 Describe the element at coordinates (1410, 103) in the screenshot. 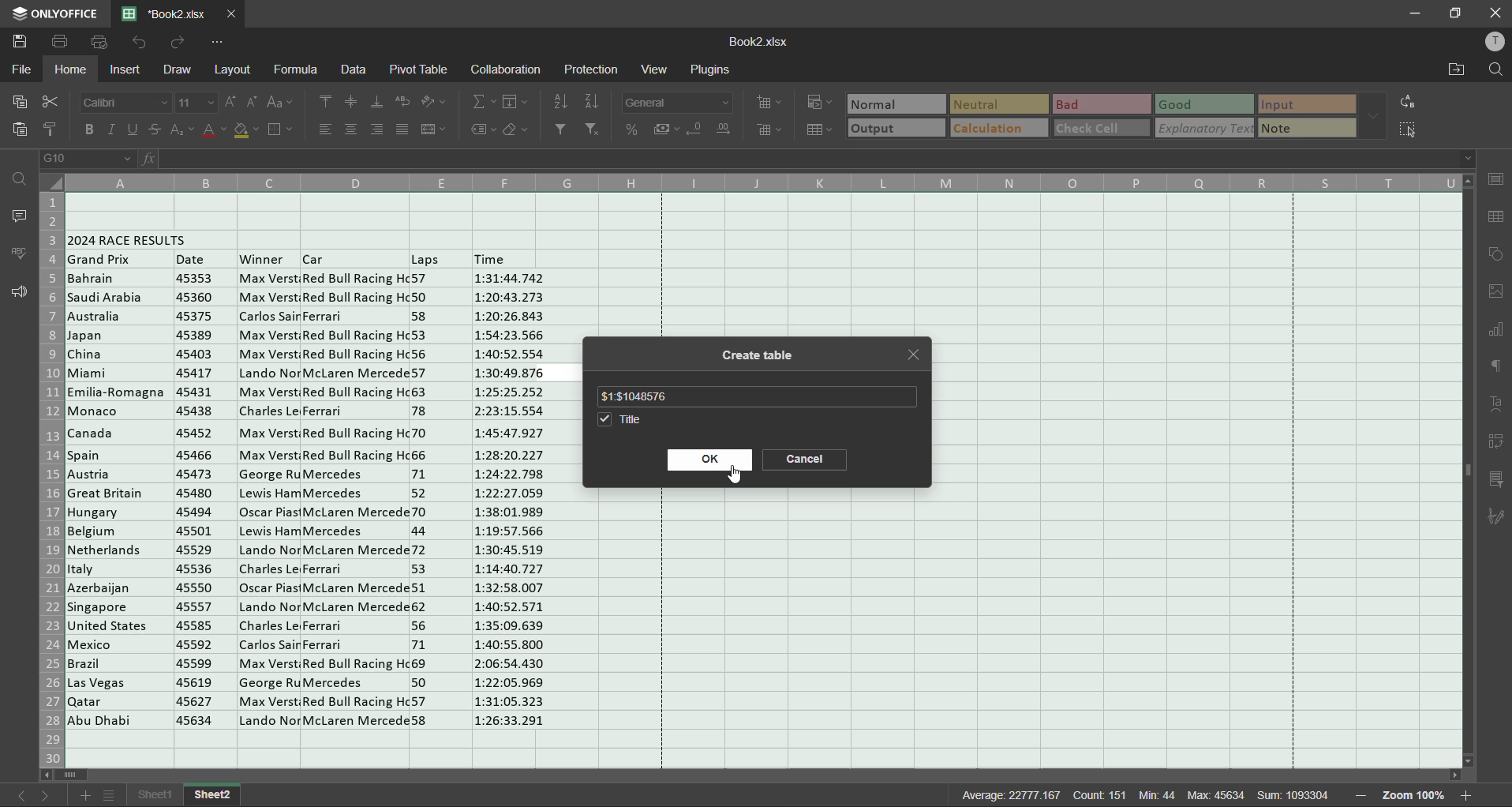

I see `replace` at that location.